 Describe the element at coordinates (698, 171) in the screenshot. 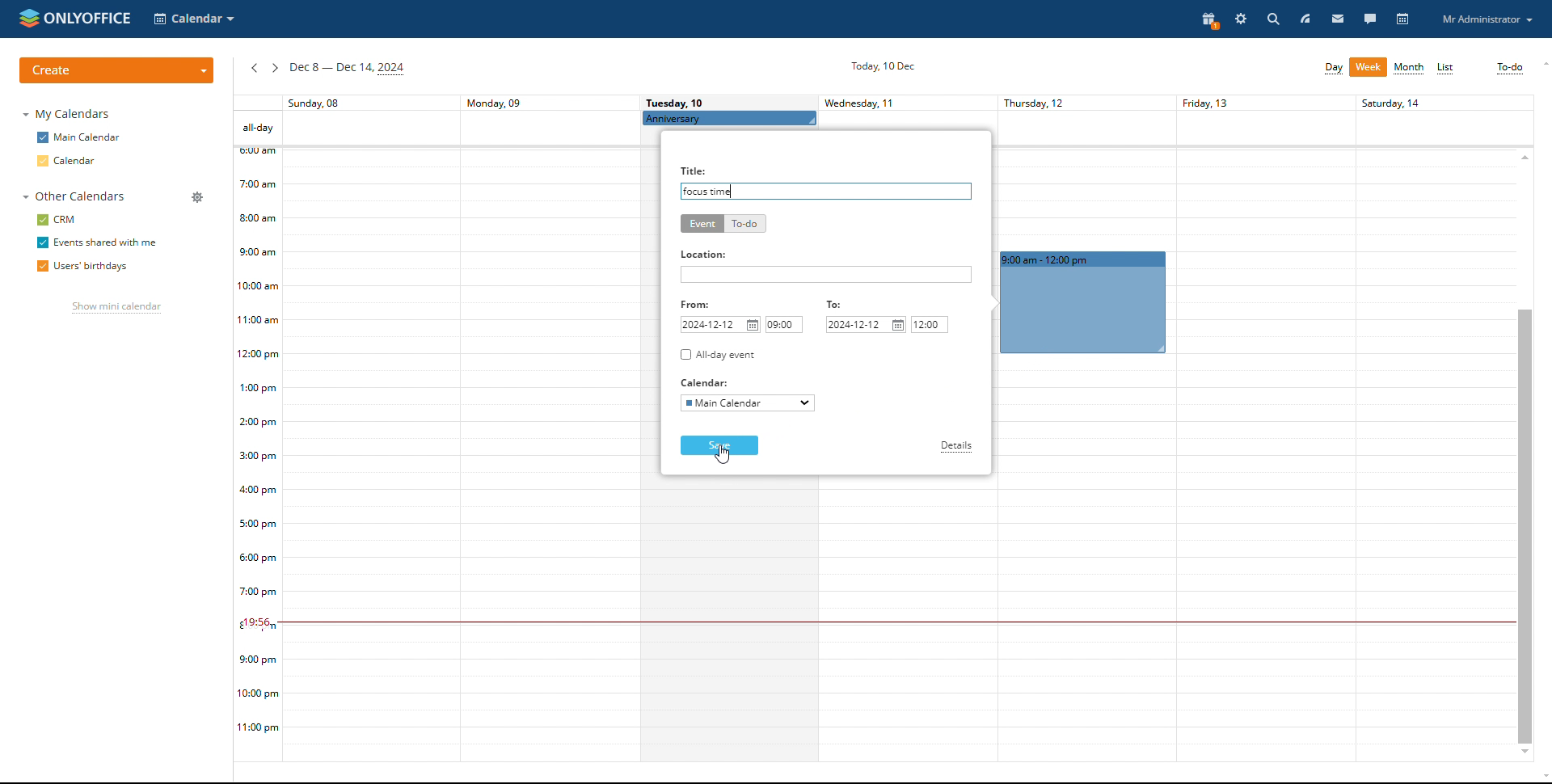

I see `Title:` at that location.